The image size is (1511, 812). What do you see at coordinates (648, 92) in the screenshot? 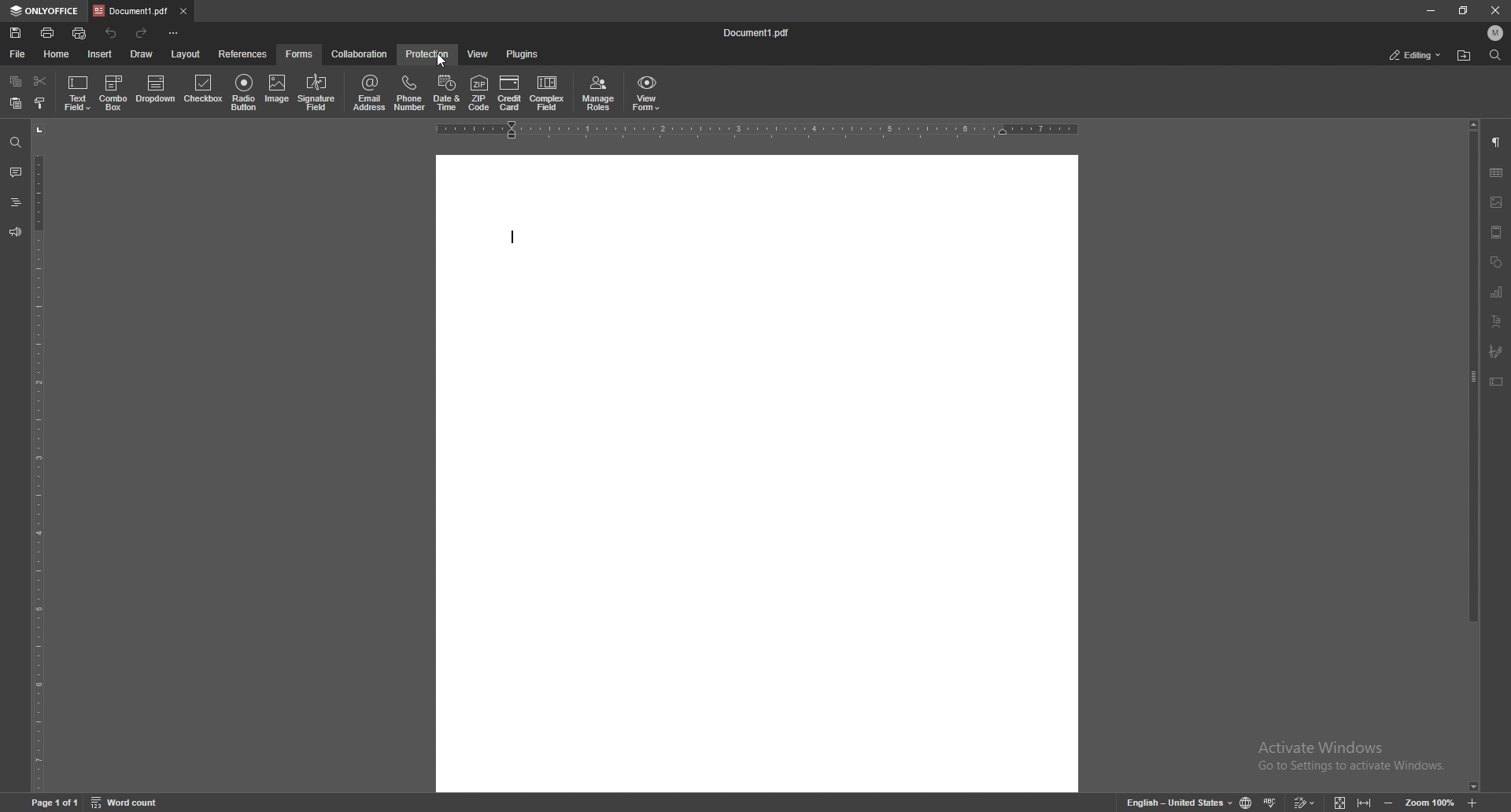
I see `view form` at bounding box center [648, 92].